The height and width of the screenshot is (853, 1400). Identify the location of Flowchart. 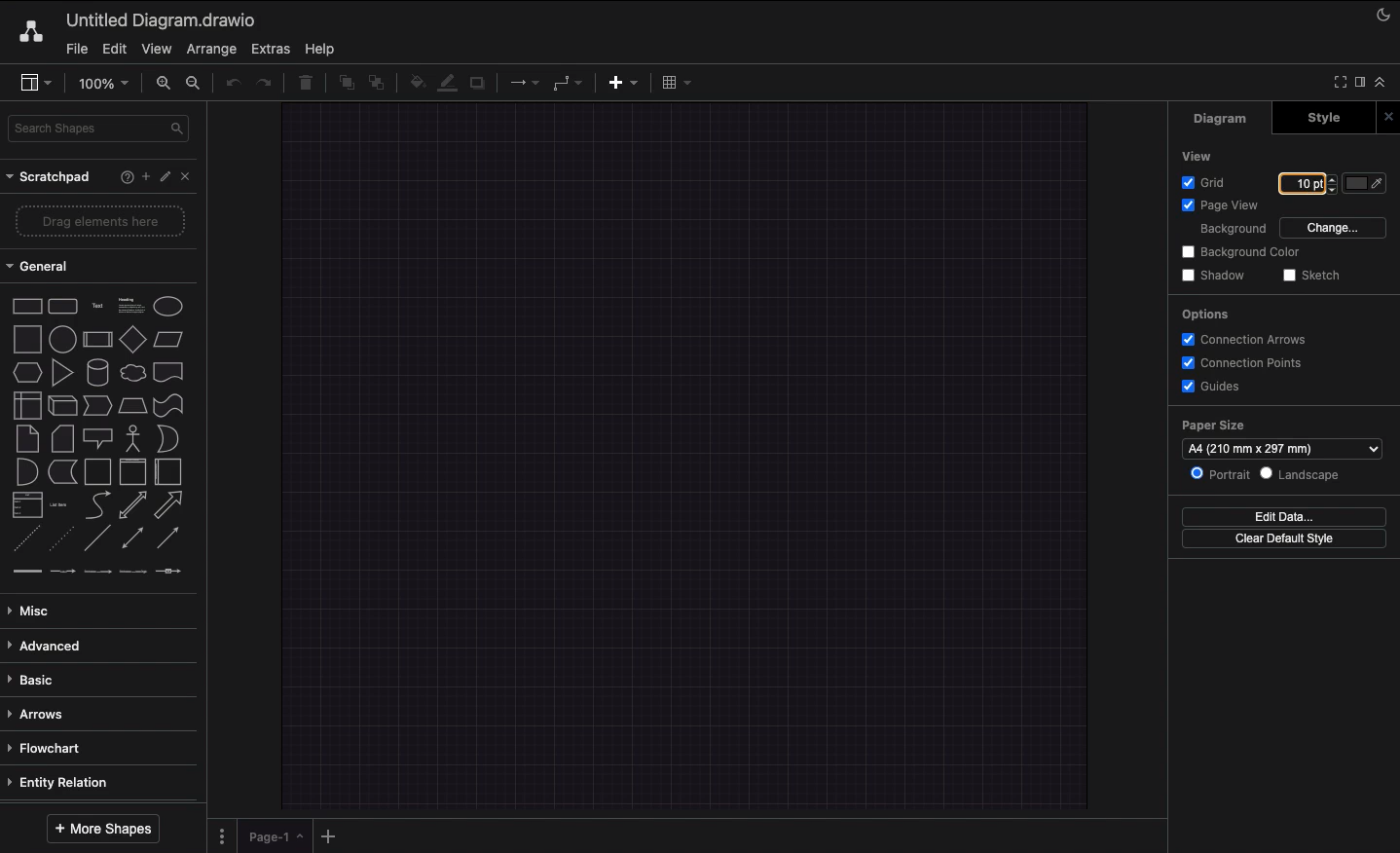
(55, 748).